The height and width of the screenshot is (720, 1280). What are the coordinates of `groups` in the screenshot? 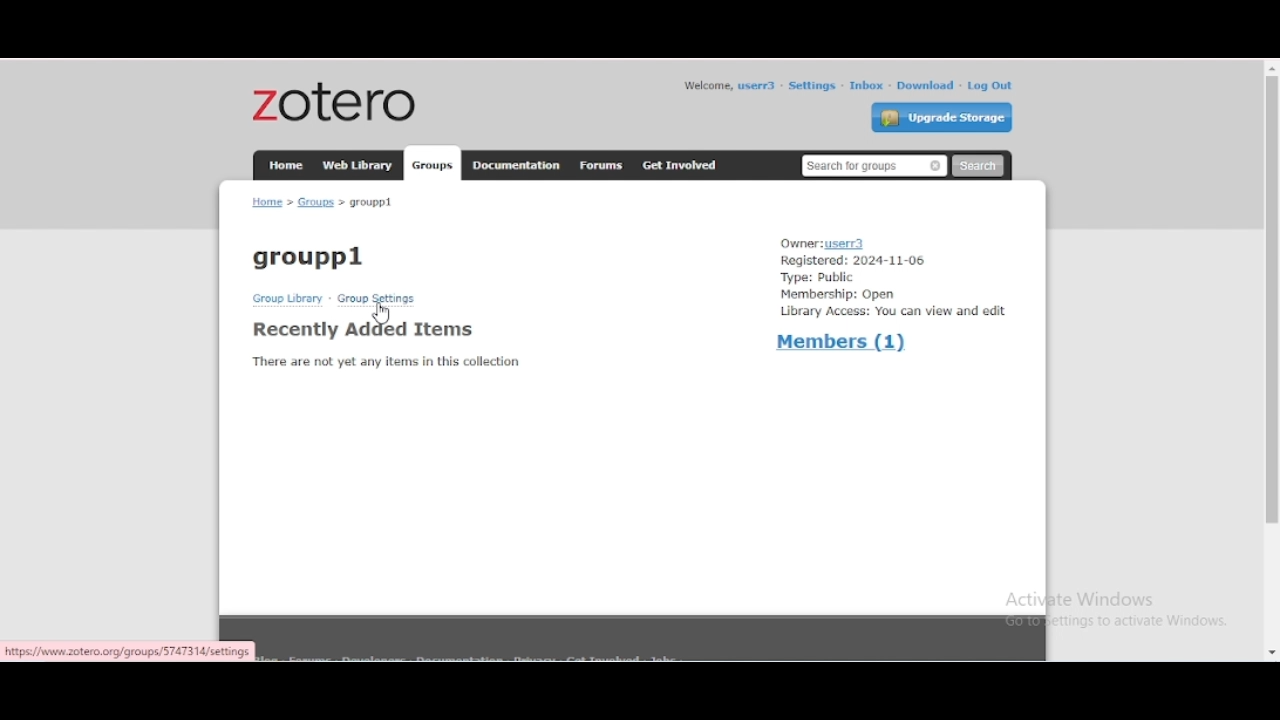 It's located at (431, 164).